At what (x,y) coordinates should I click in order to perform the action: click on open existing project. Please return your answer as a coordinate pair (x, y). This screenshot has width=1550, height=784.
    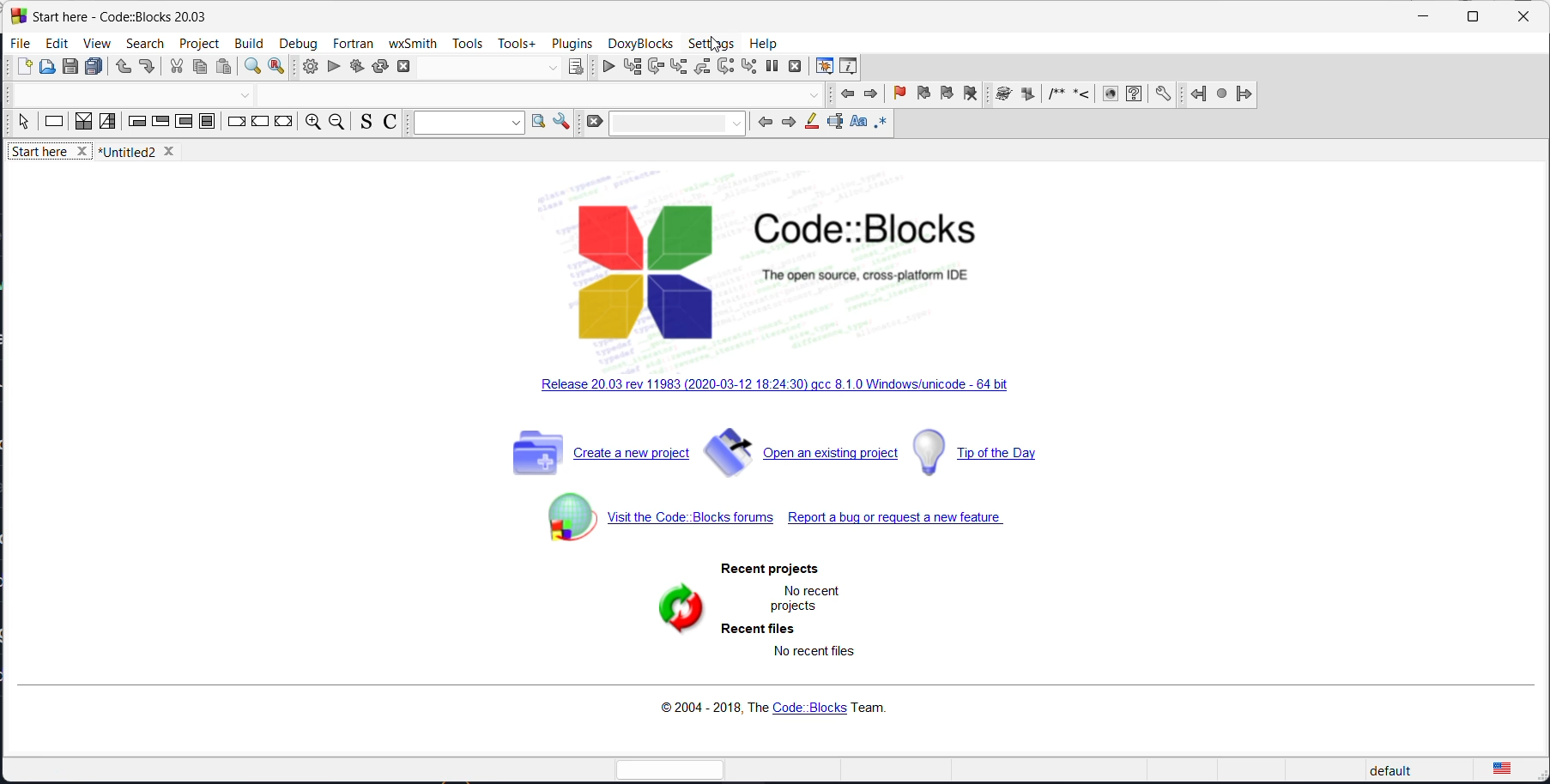
    Looking at the image, I should click on (802, 457).